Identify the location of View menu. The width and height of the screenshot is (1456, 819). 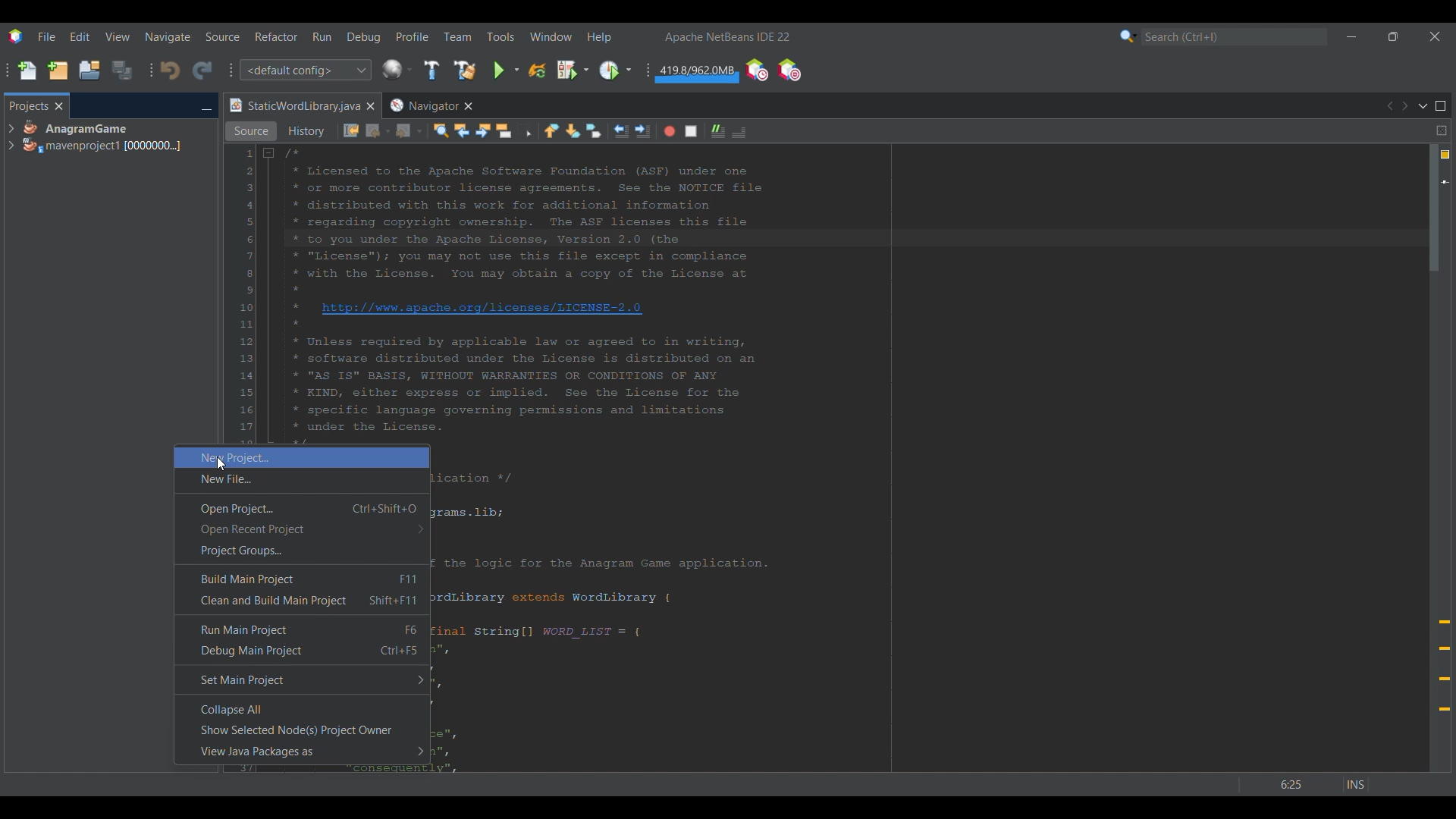
(118, 36).